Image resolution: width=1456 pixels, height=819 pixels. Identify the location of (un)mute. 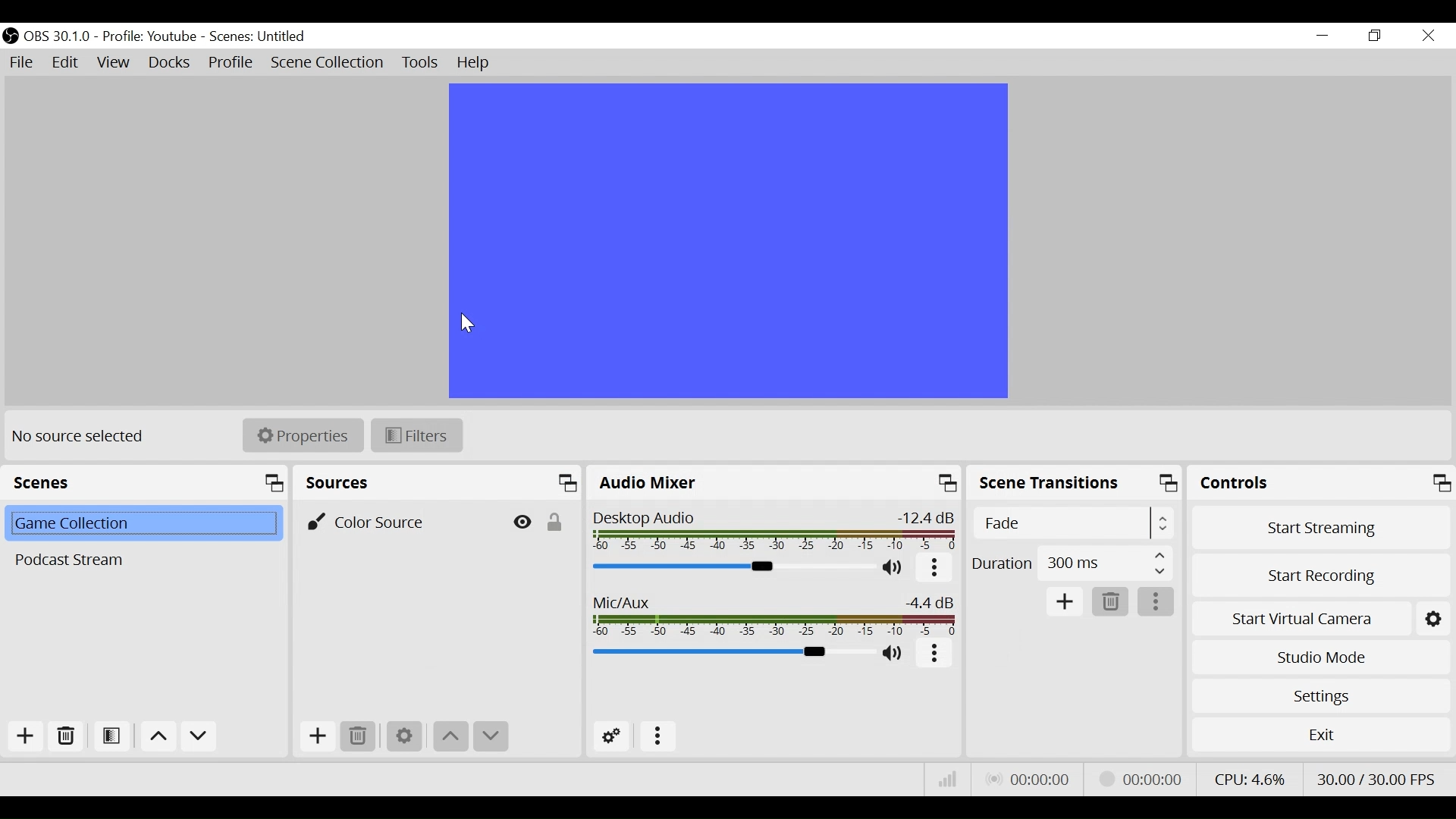
(894, 653).